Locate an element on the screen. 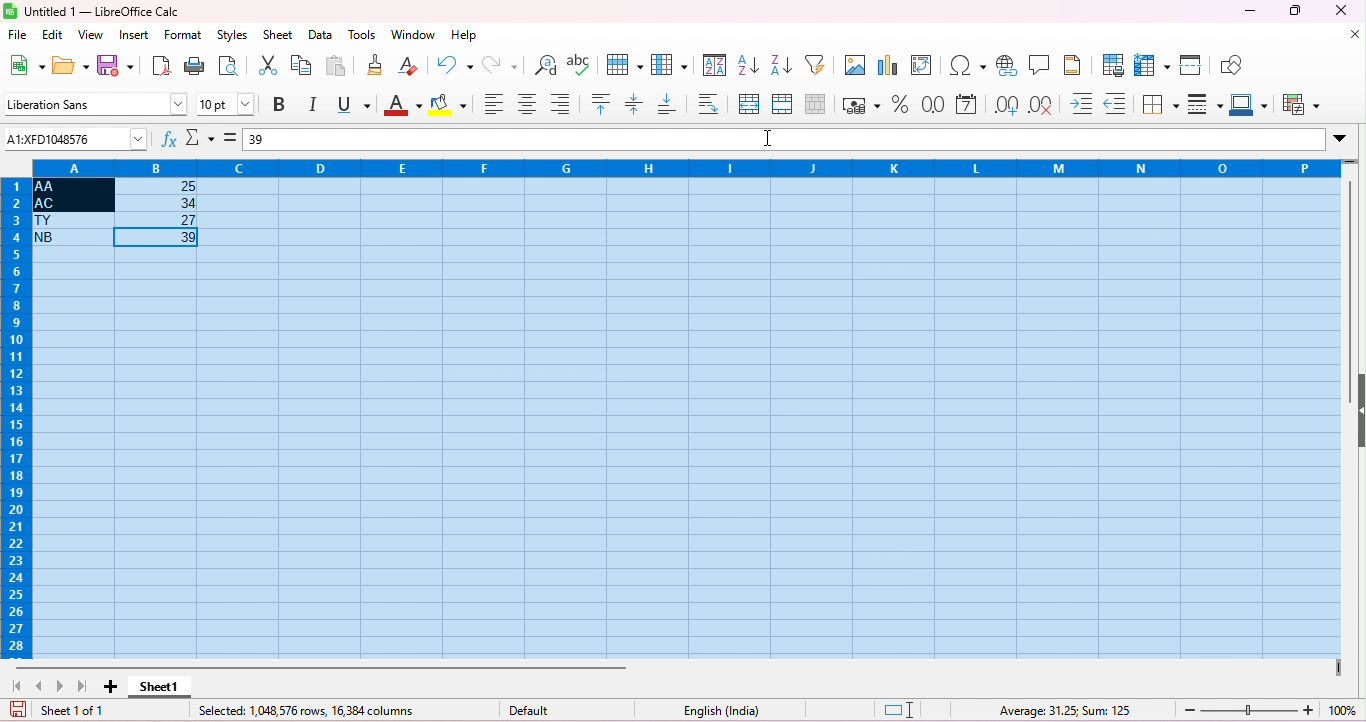  wrap is located at coordinates (704, 103).